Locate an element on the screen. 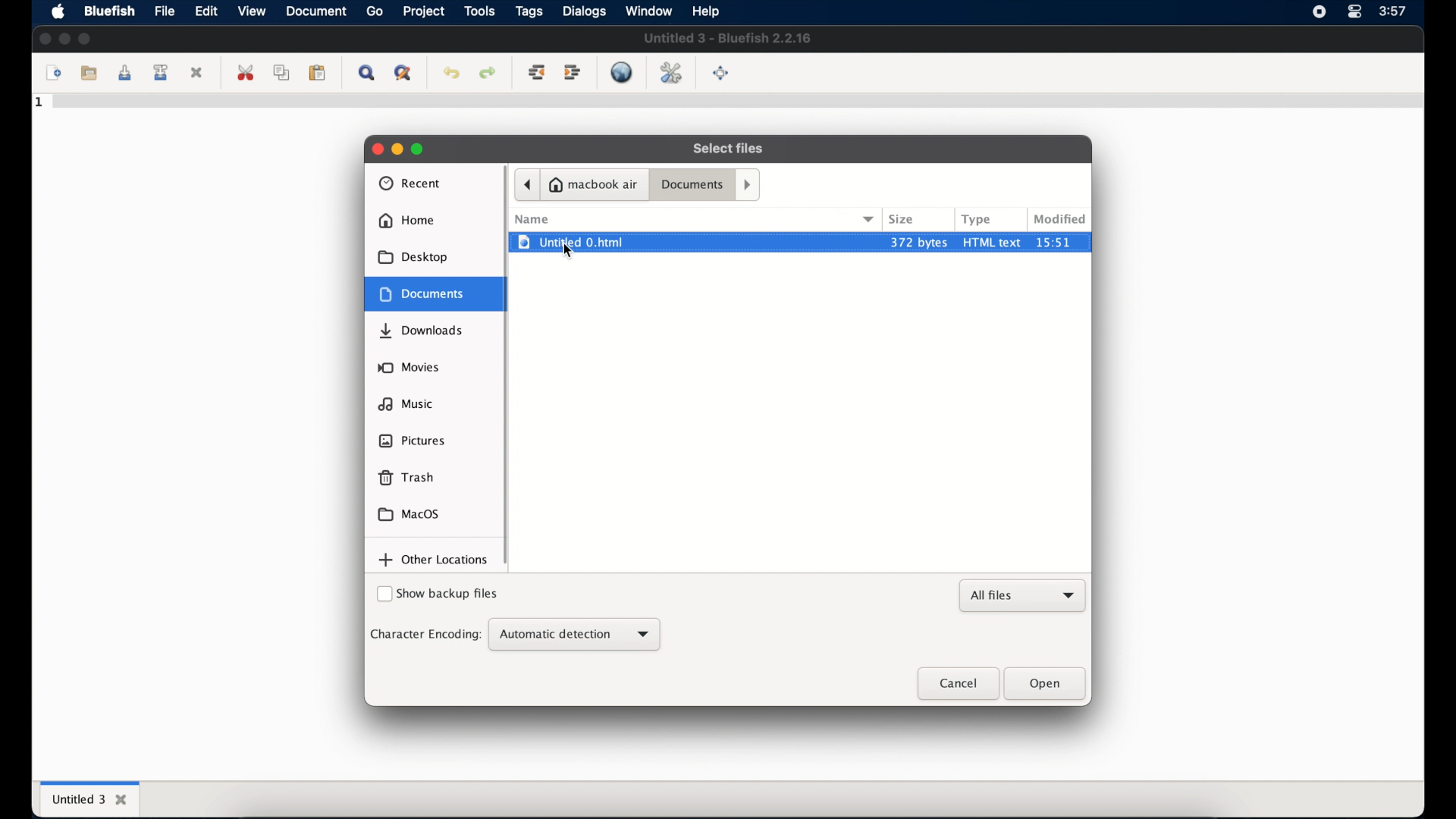 This screenshot has height=819, width=1456. pictures is located at coordinates (413, 441).